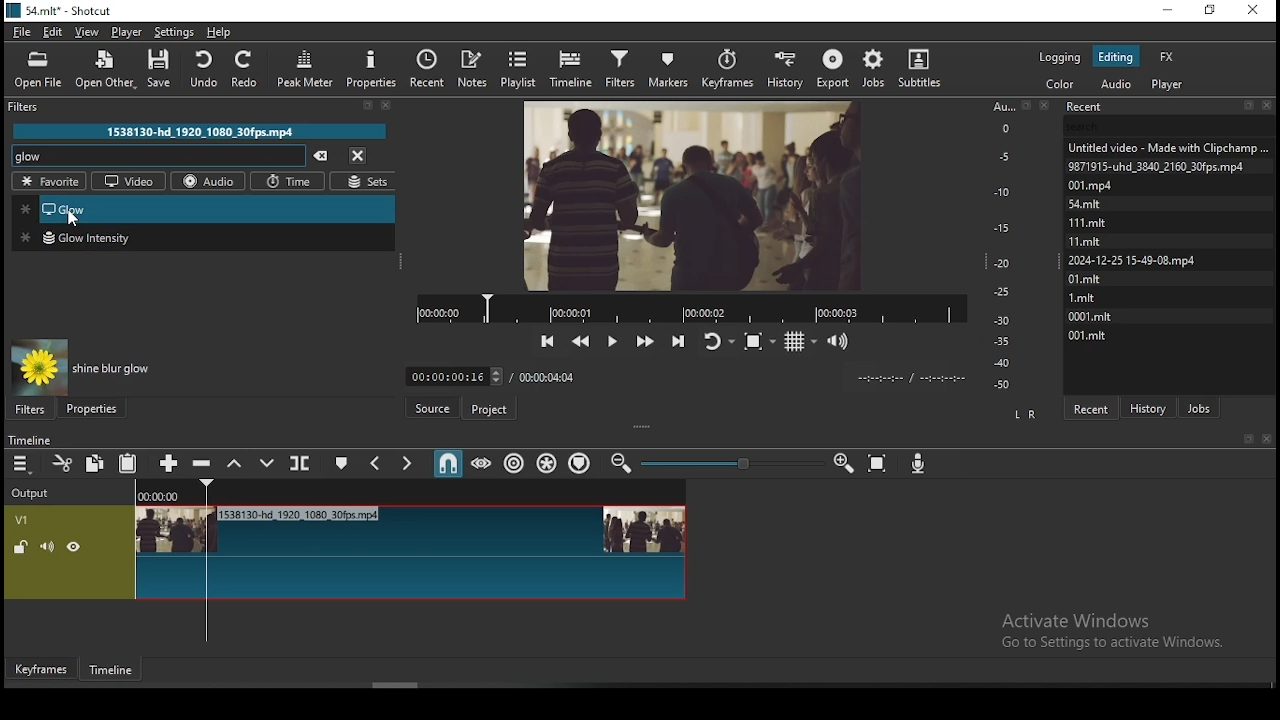 The width and height of the screenshot is (1280, 720). What do you see at coordinates (398, 685) in the screenshot?
I see `scroll bar` at bounding box center [398, 685].